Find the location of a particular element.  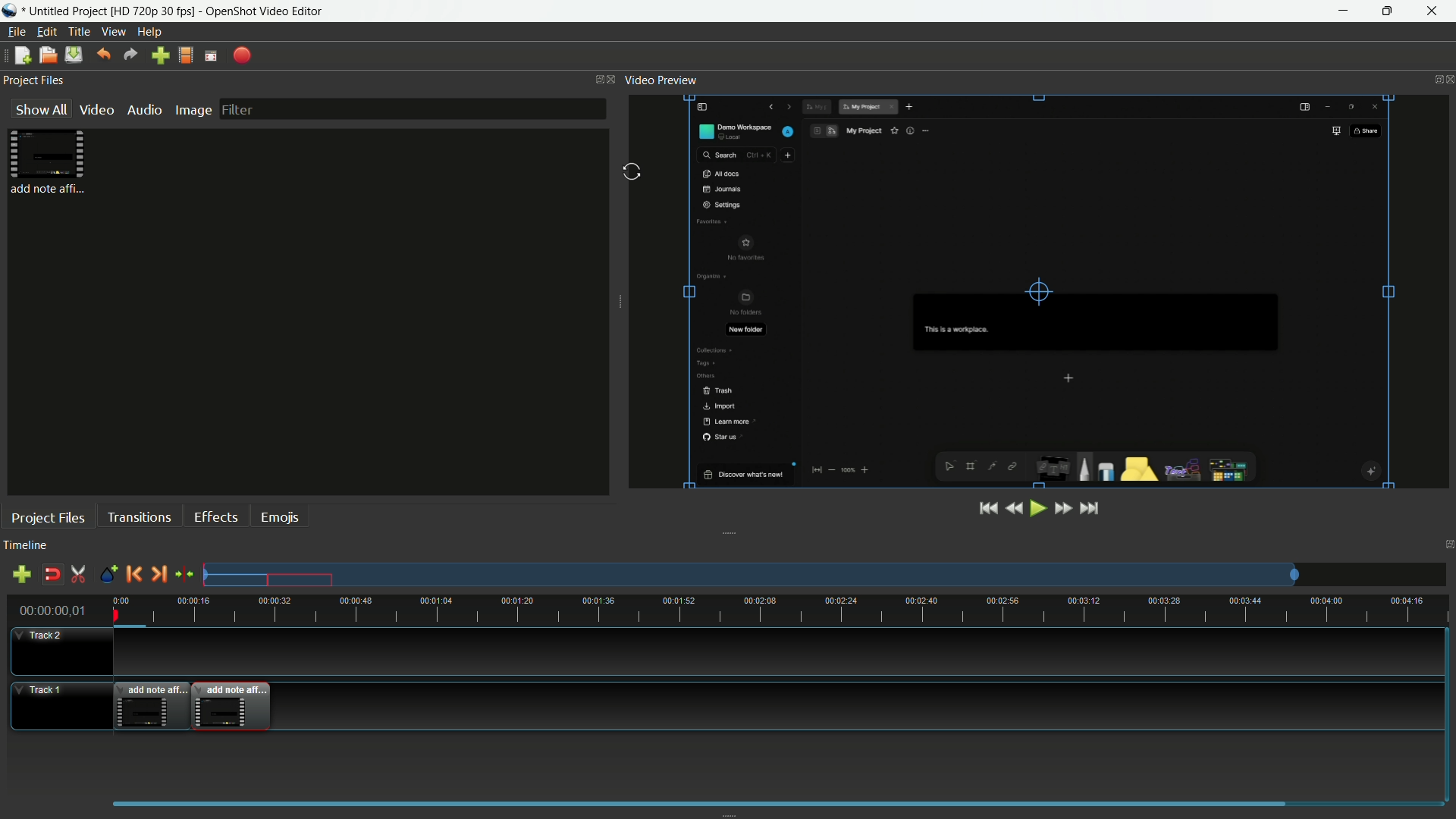

track-2 is located at coordinates (58, 650).